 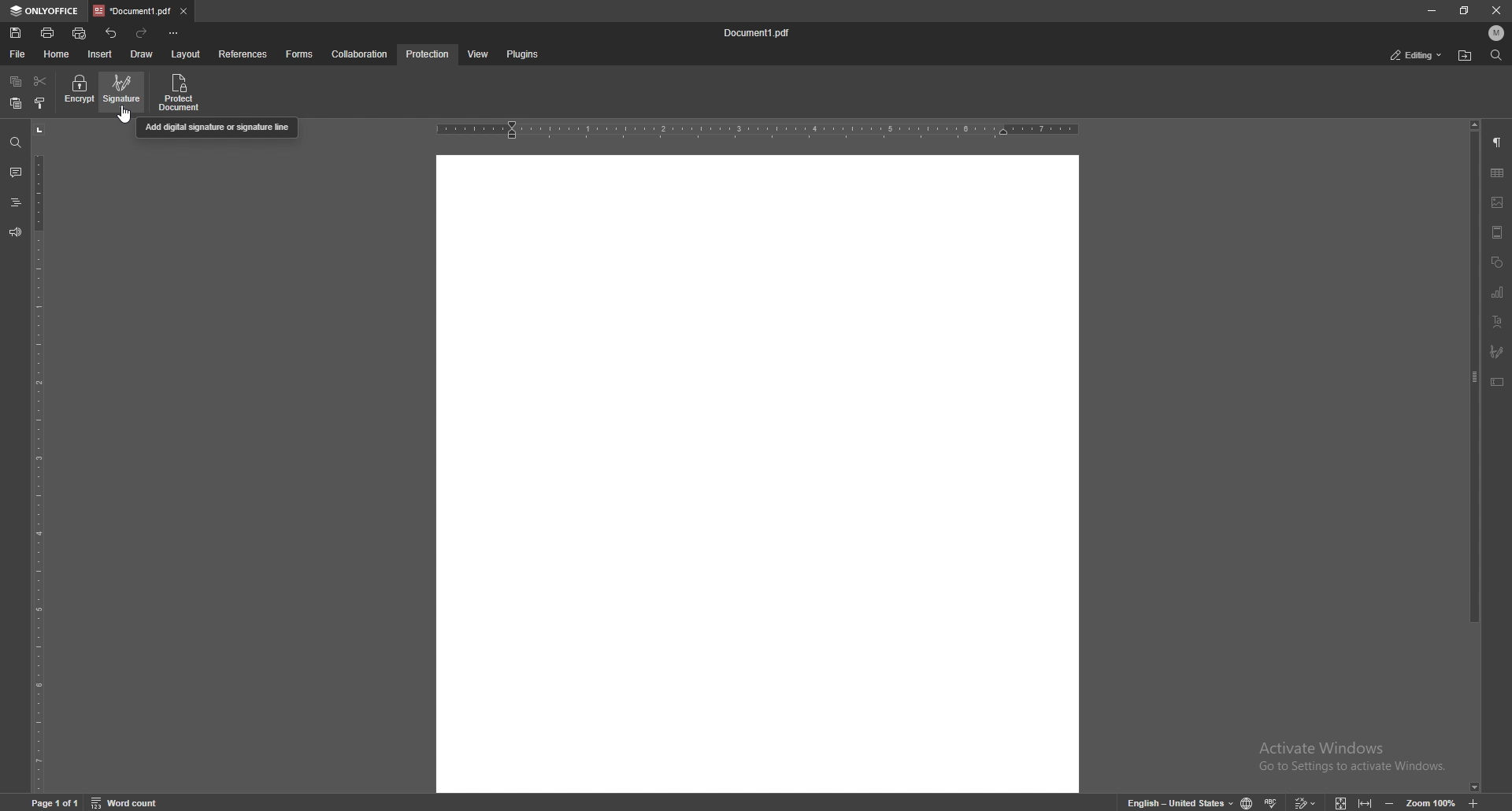 I want to click on image, so click(x=1498, y=202).